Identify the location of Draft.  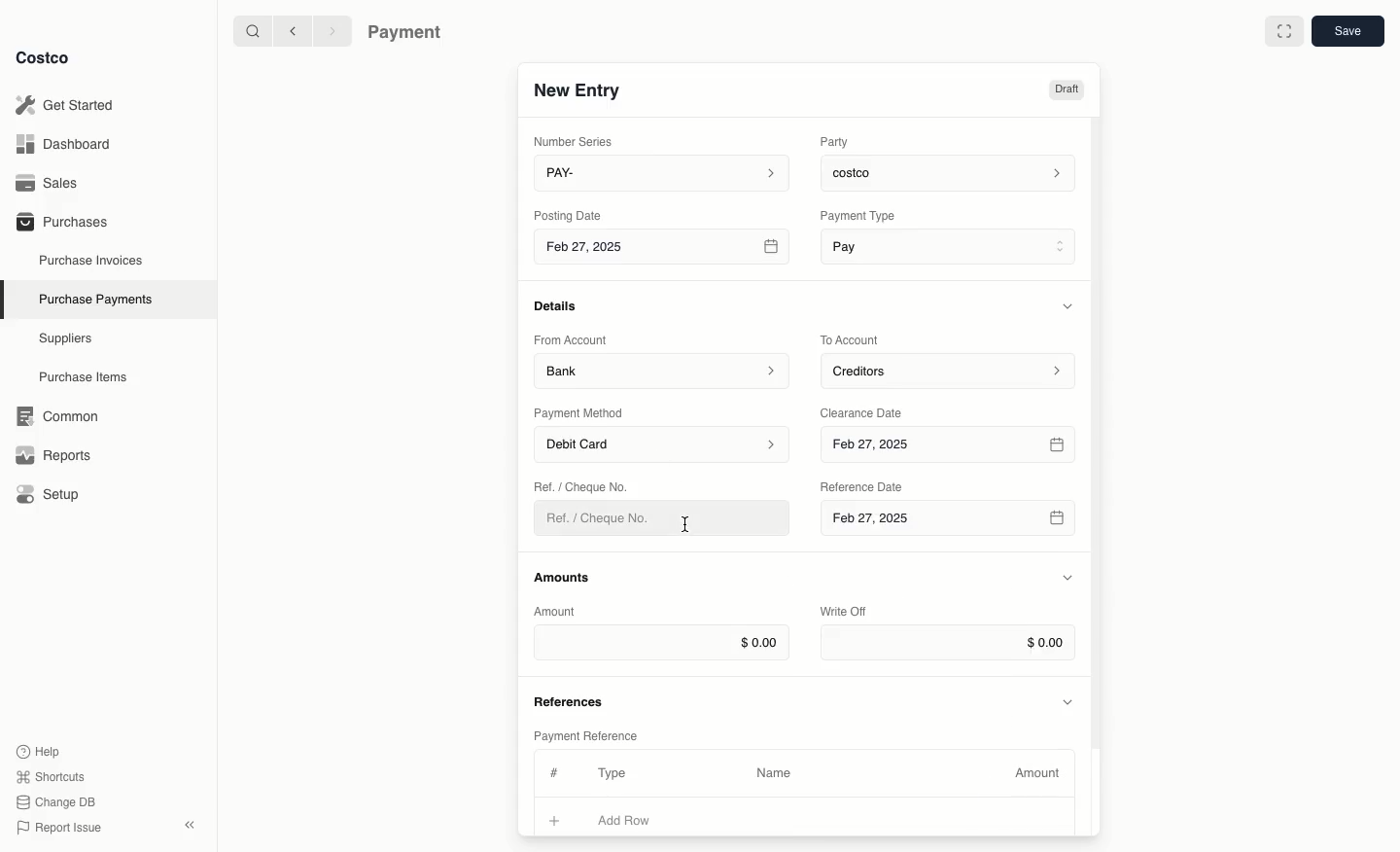
(1066, 89).